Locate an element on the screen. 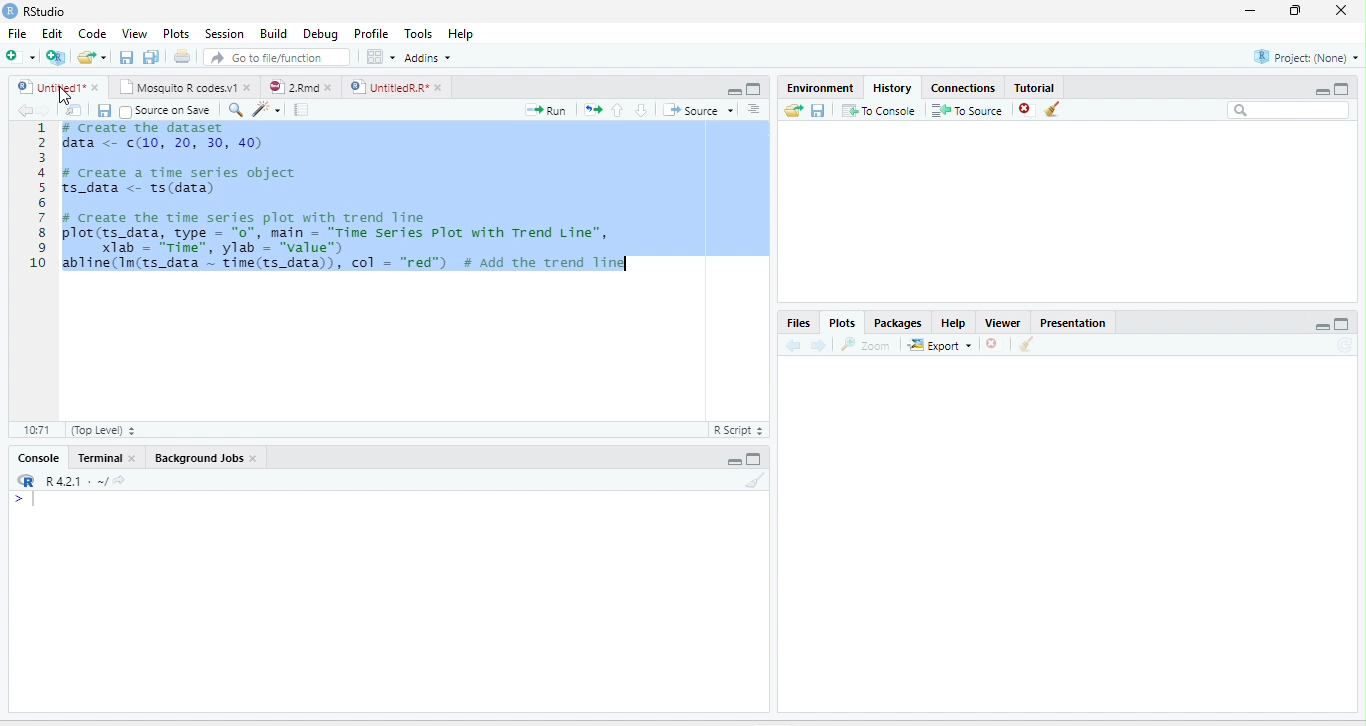 The height and width of the screenshot is (726, 1366). Edit is located at coordinates (51, 33).